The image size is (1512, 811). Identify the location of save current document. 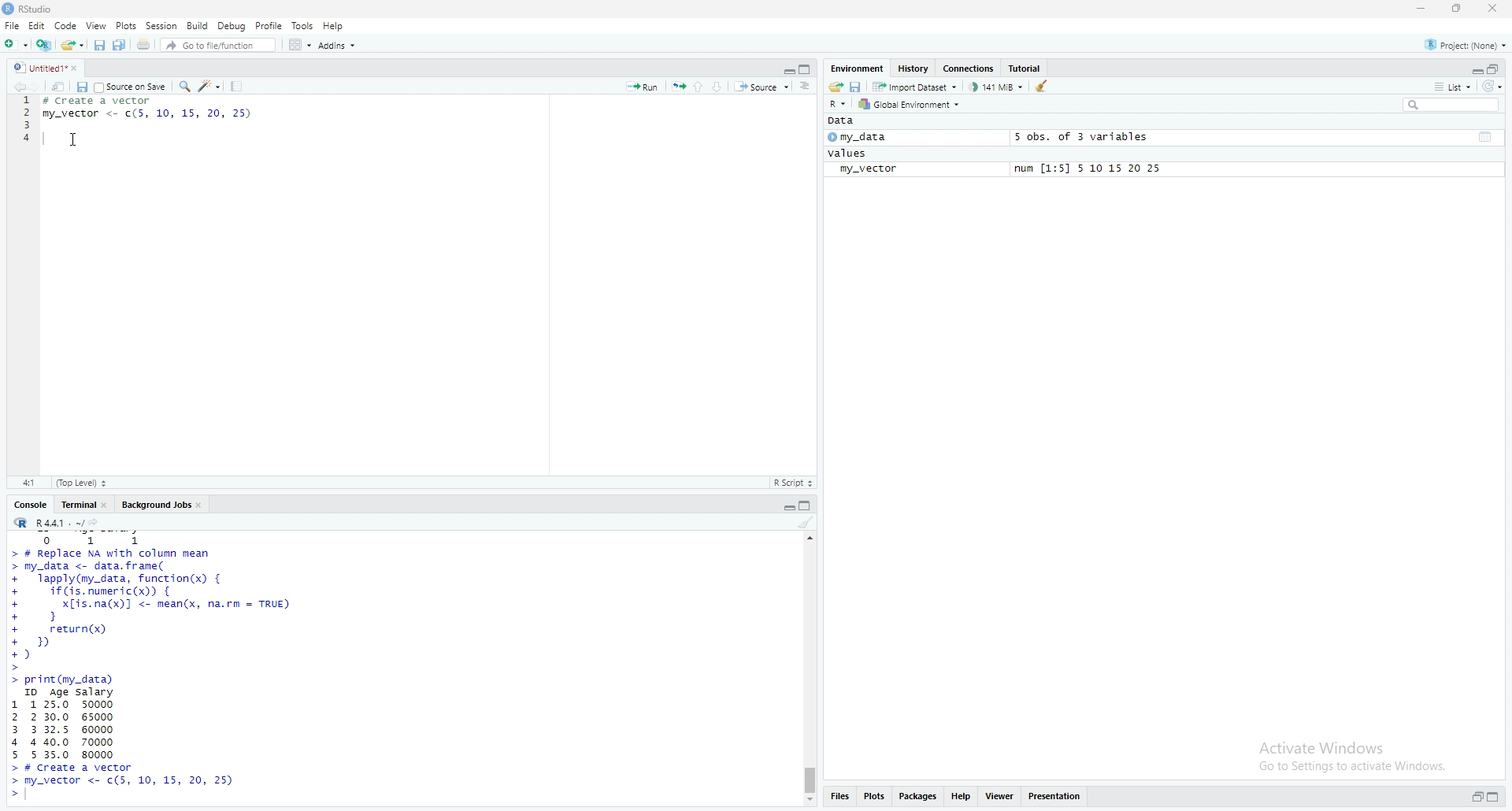
(98, 46).